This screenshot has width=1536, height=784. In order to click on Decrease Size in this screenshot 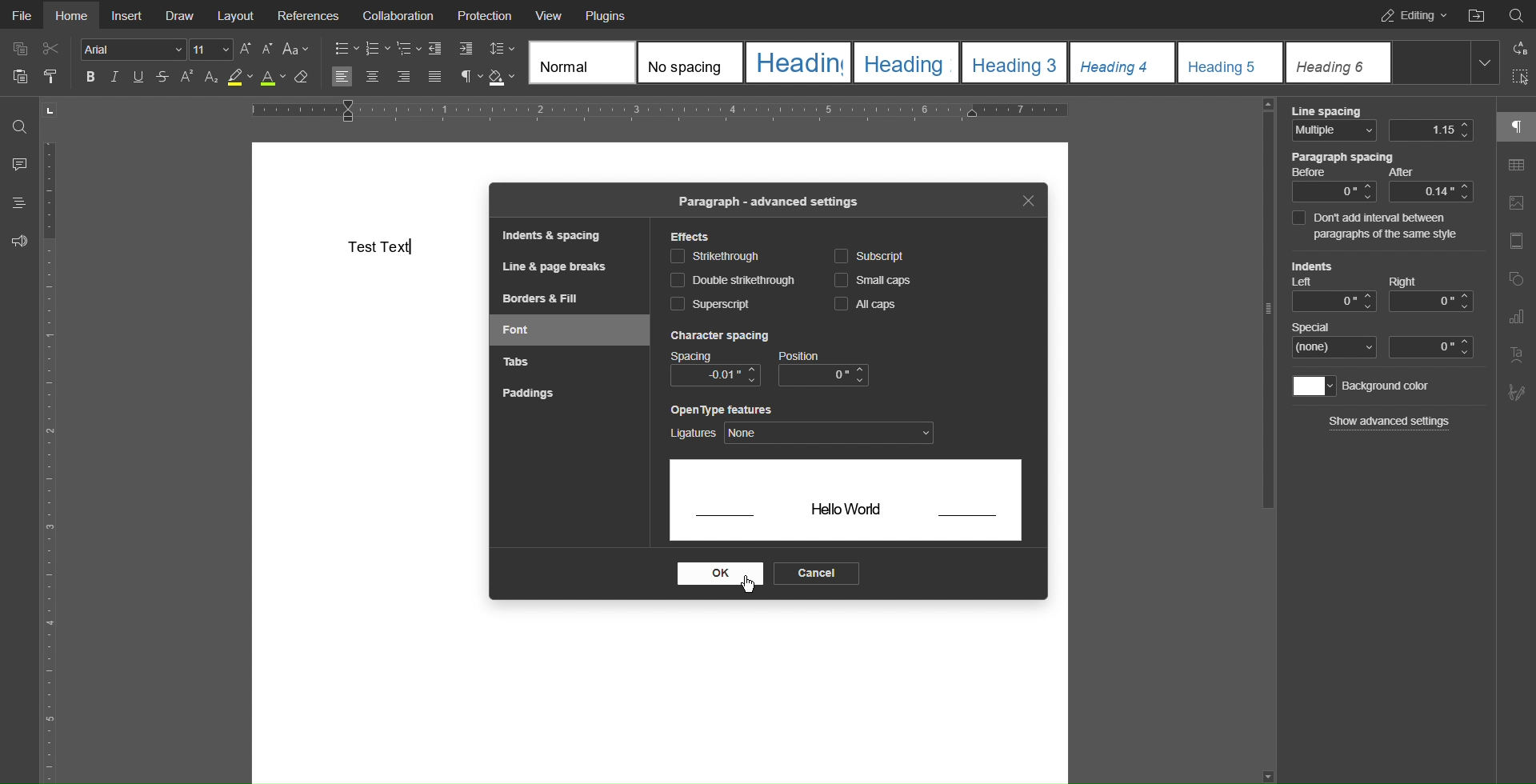, I will do `click(267, 49)`.